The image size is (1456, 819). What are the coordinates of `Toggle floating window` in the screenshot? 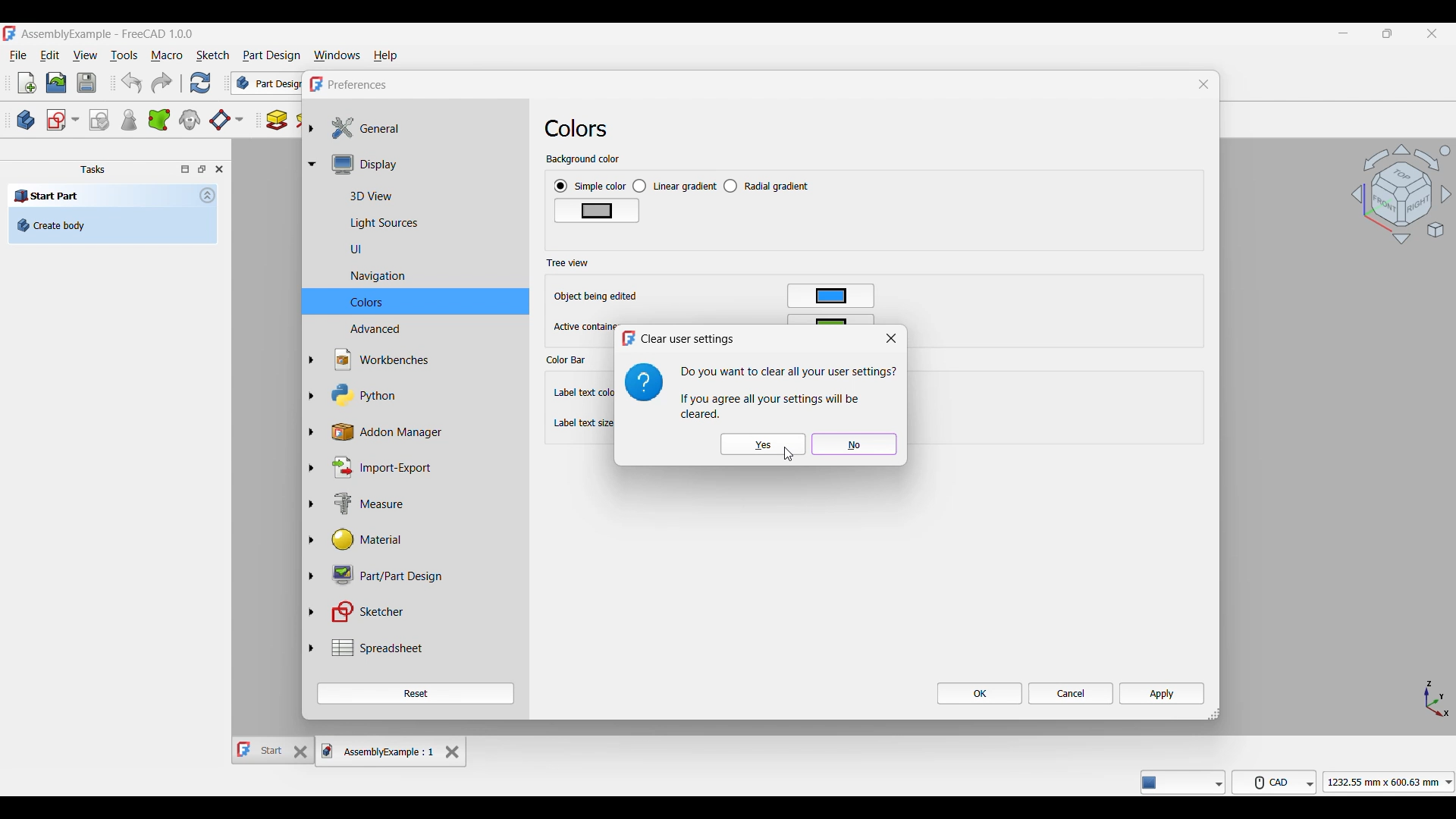 It's located at (202, 169).